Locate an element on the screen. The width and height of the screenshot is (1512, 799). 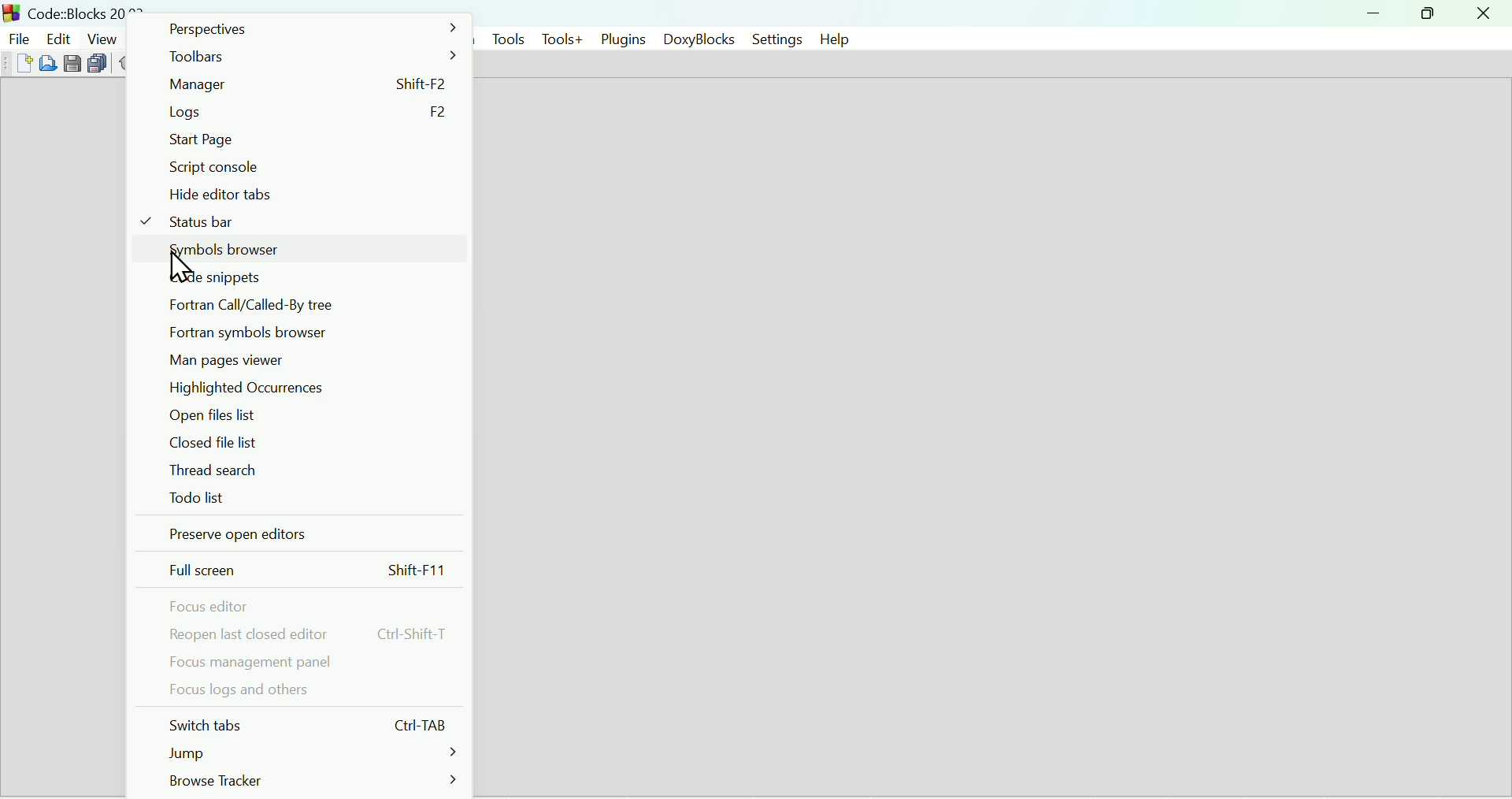
View is located at coordinates (103, 38).